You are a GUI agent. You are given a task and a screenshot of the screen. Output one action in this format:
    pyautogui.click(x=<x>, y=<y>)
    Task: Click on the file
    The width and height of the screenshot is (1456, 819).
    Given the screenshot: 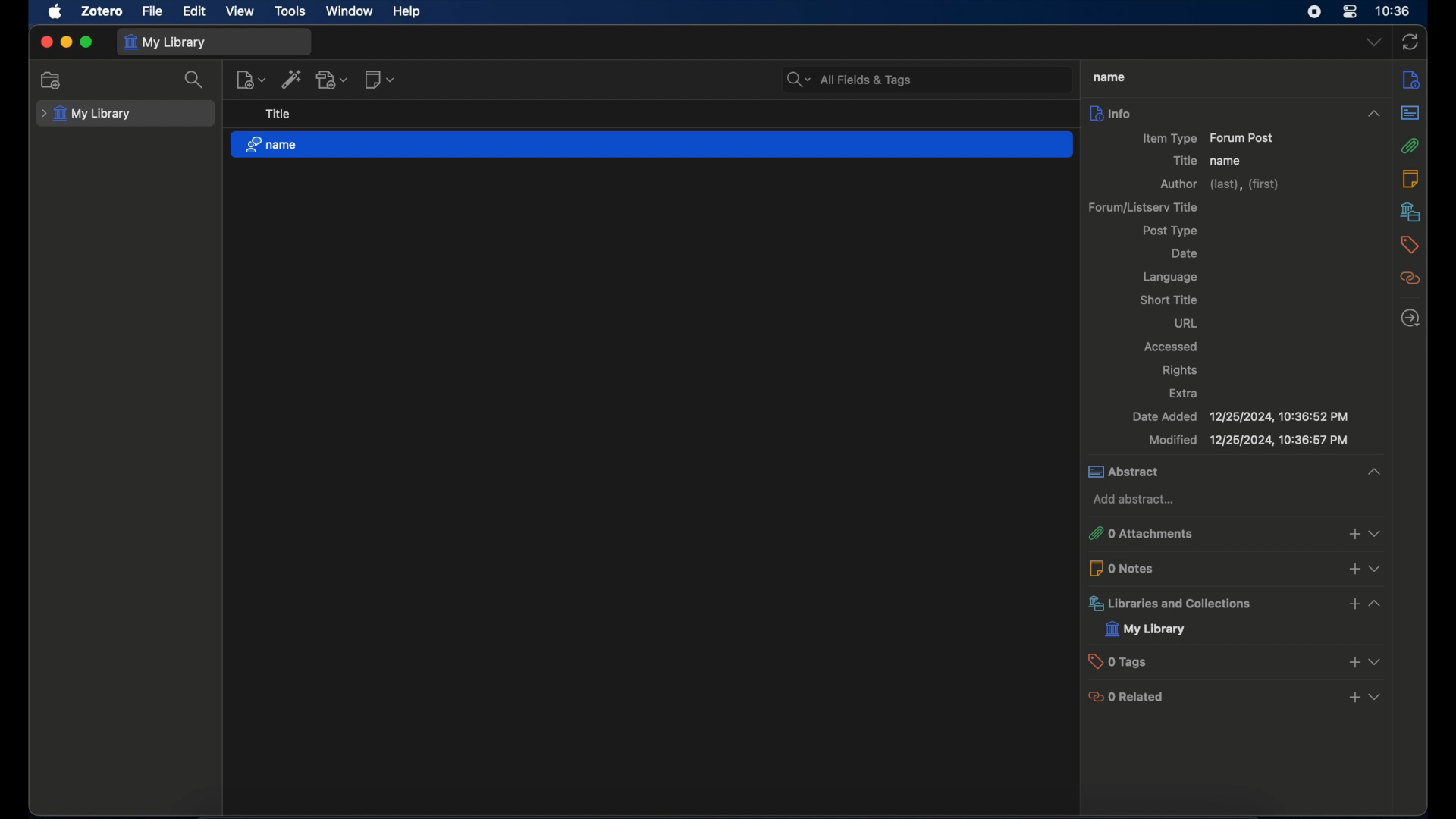 What is the action you would take?
    pyautogui.click(x=153, y=11)
    